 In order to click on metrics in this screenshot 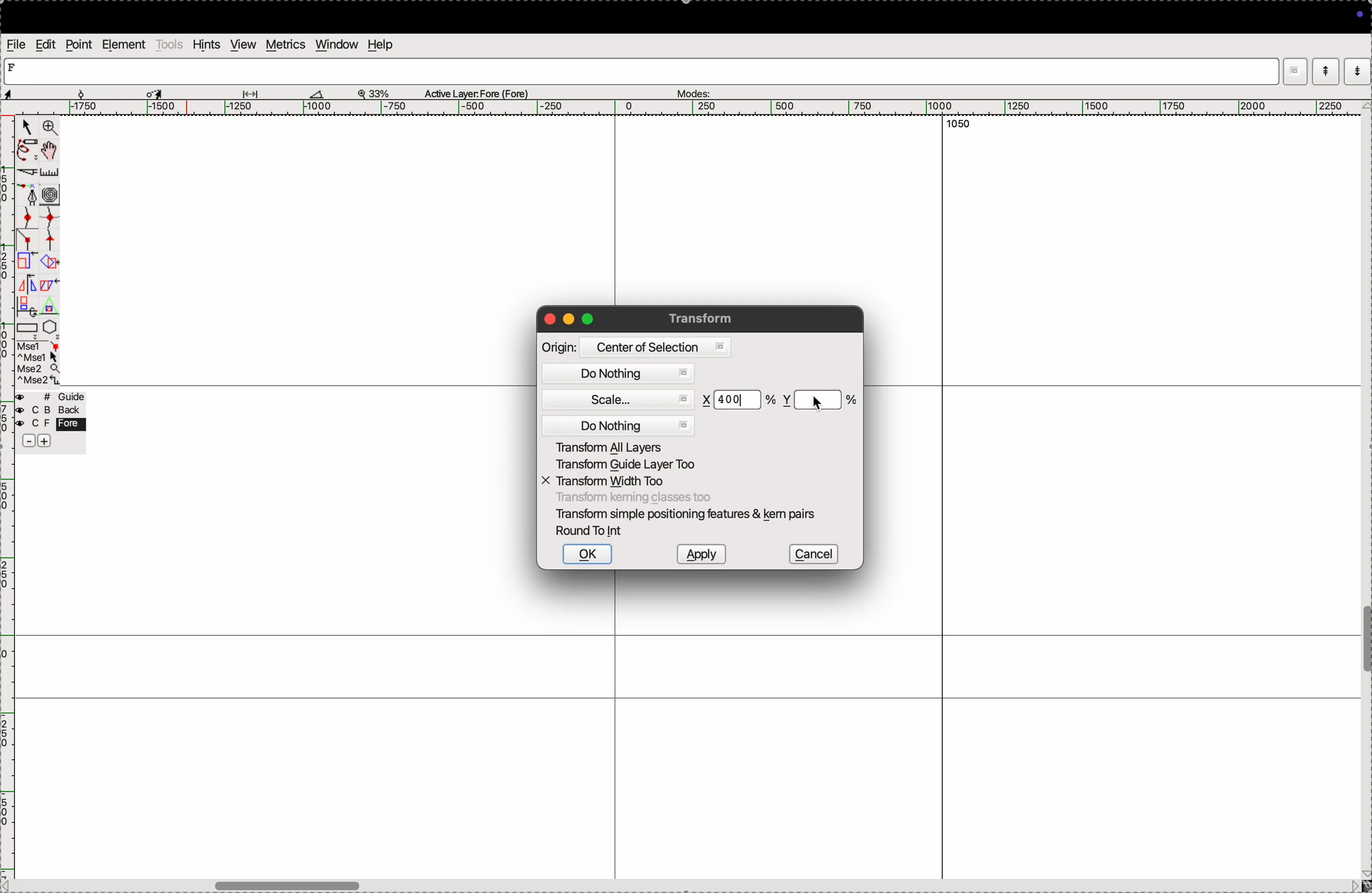, I will do `click(287, 44)`.